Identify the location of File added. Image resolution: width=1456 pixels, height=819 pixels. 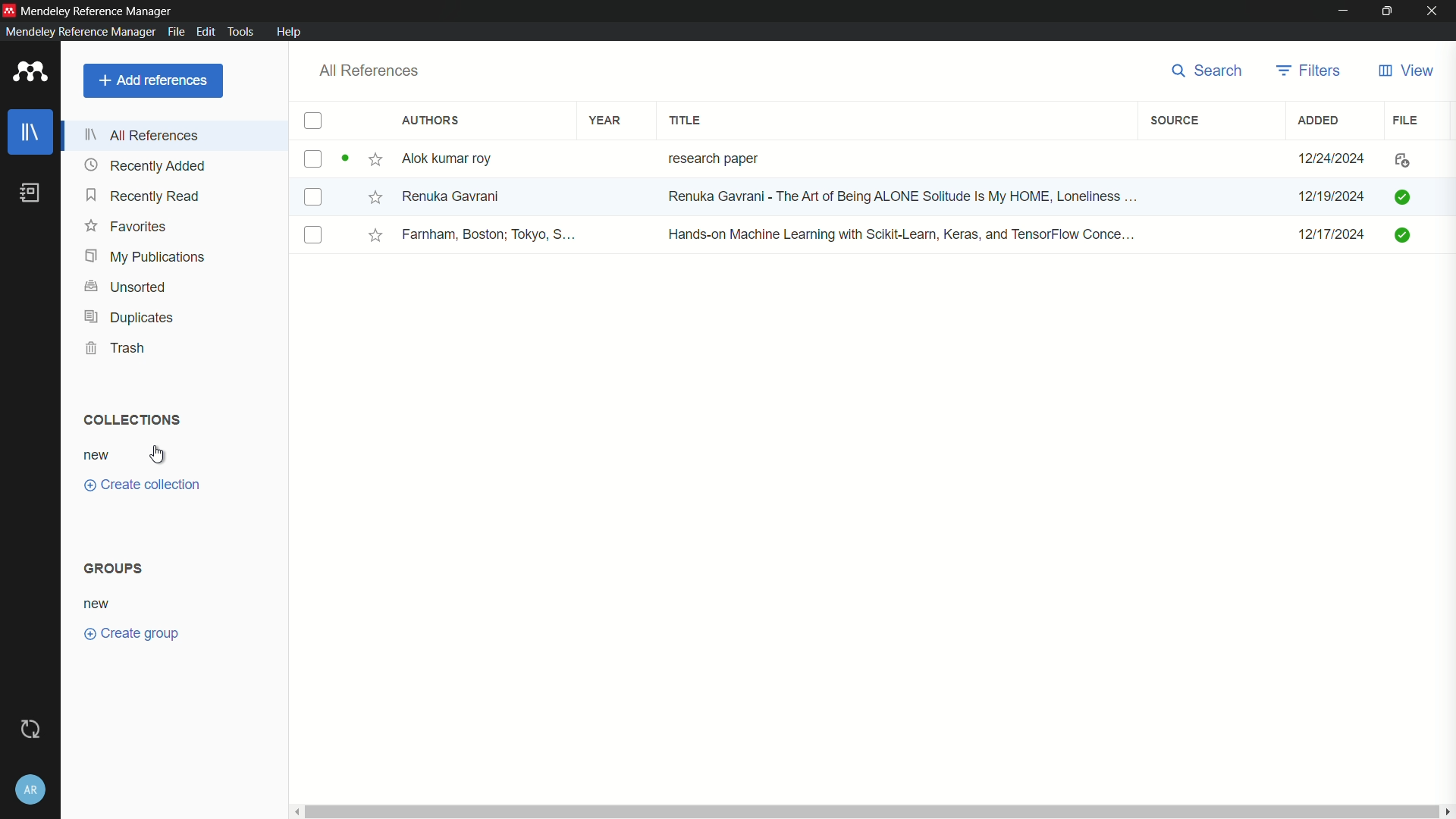
(1400, 235).